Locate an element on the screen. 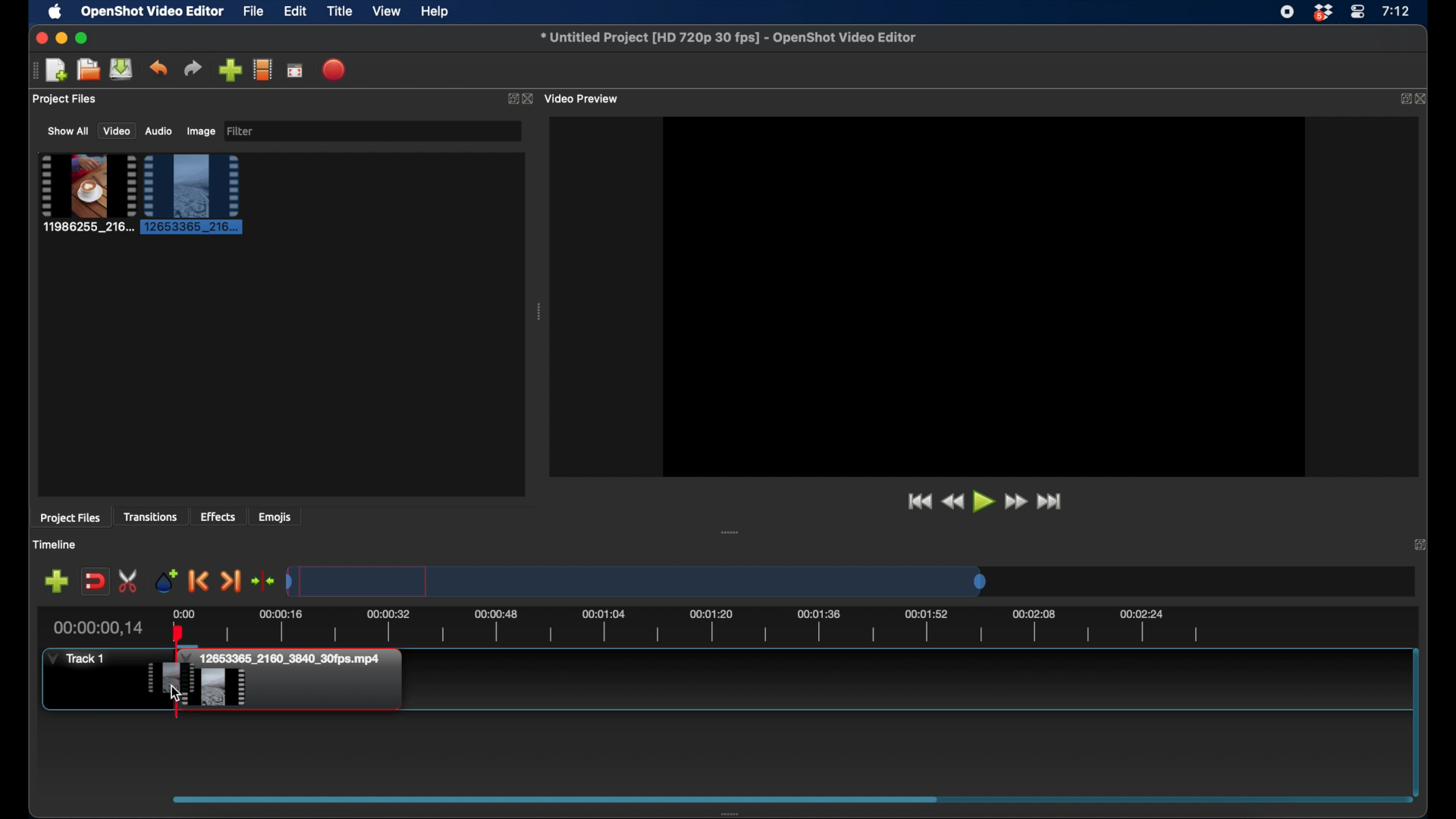 The height and width of the screenshot is (819, 1456). project files is located at coordinates (71, 519).